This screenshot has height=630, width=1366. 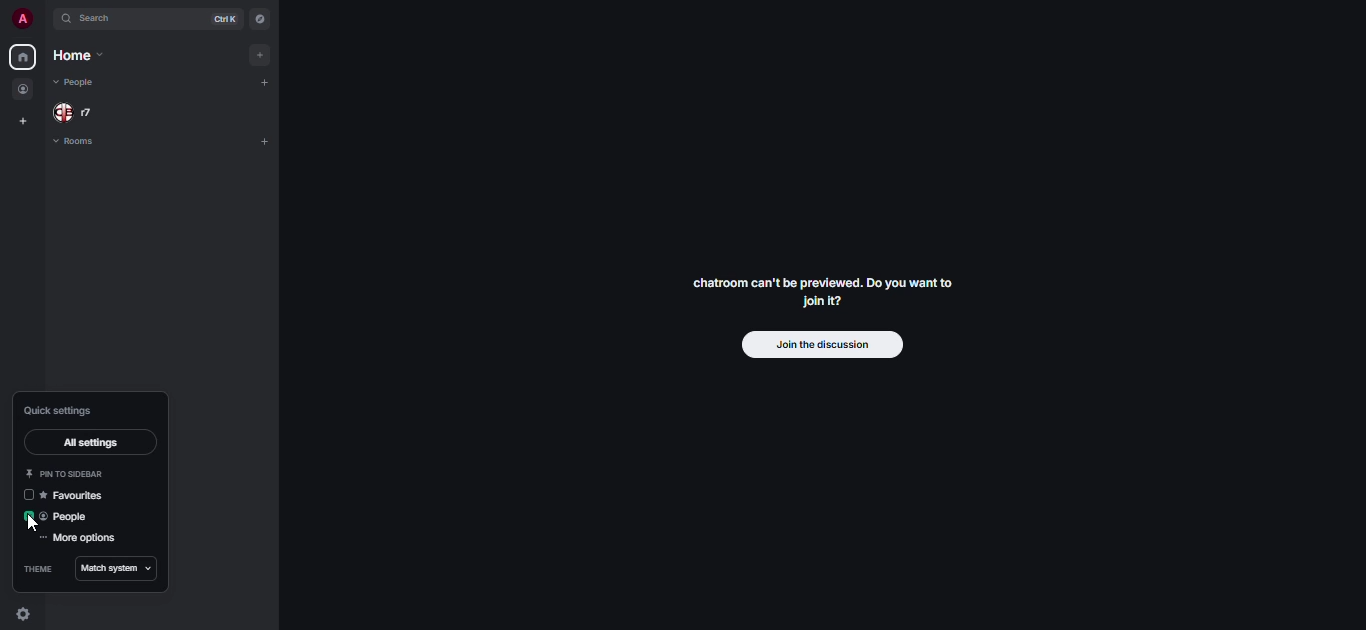 I want to click on quick settings, so click(x=59, y=410).